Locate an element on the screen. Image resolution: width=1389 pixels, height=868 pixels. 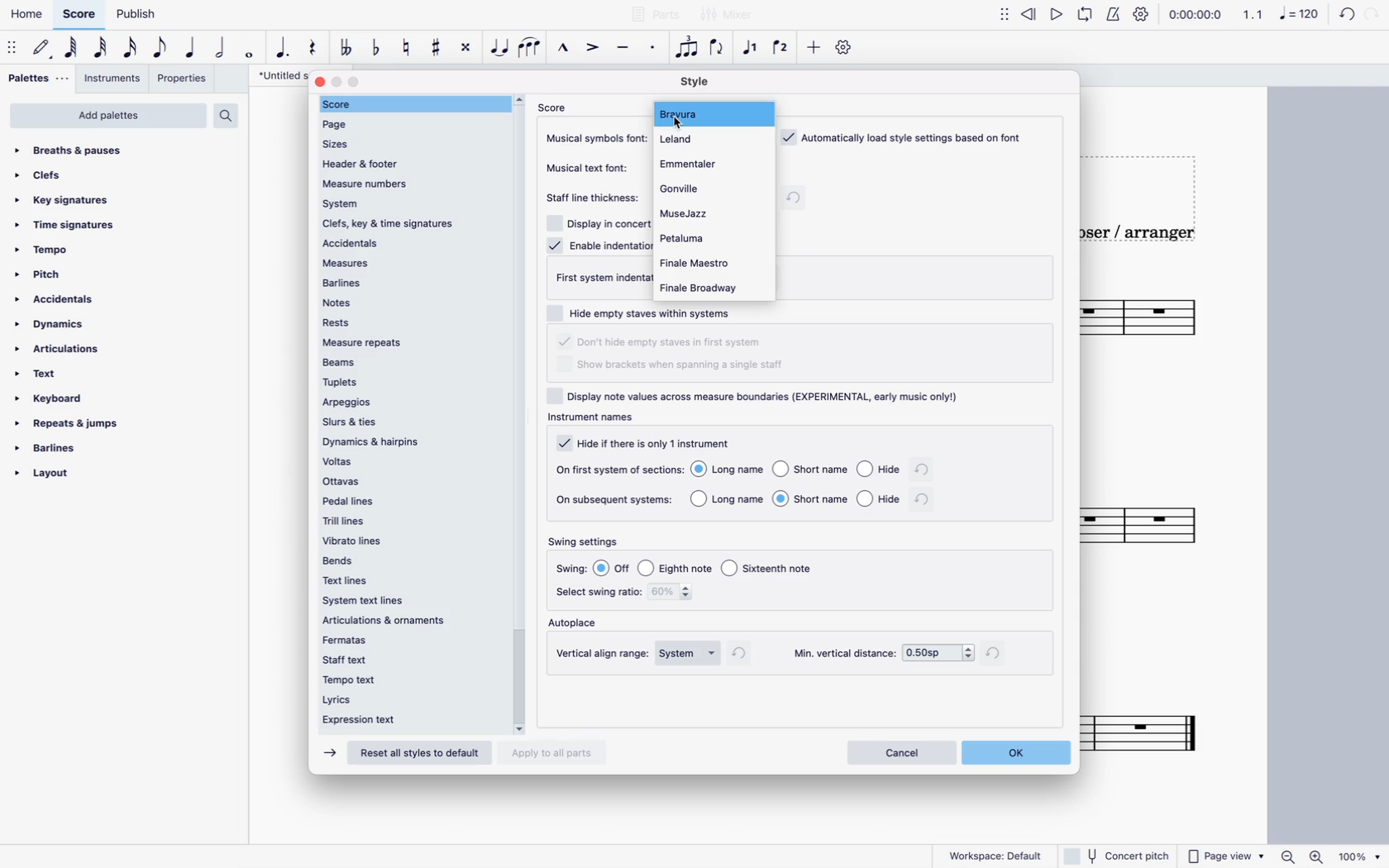
swing ratio is located at coordinates (674, 594).